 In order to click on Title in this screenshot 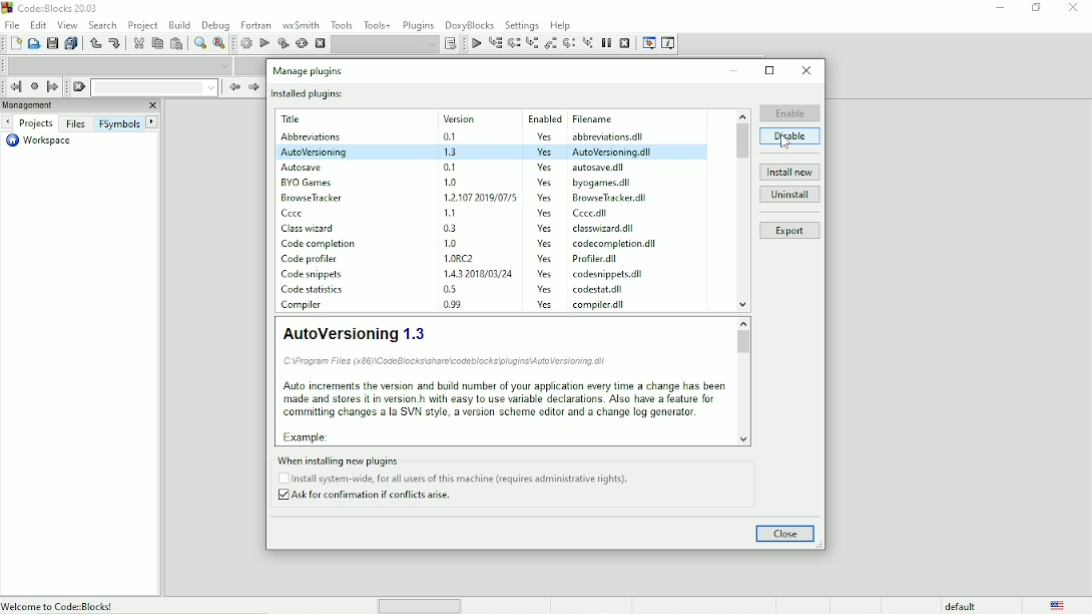, I will do `click(295, 119)`.